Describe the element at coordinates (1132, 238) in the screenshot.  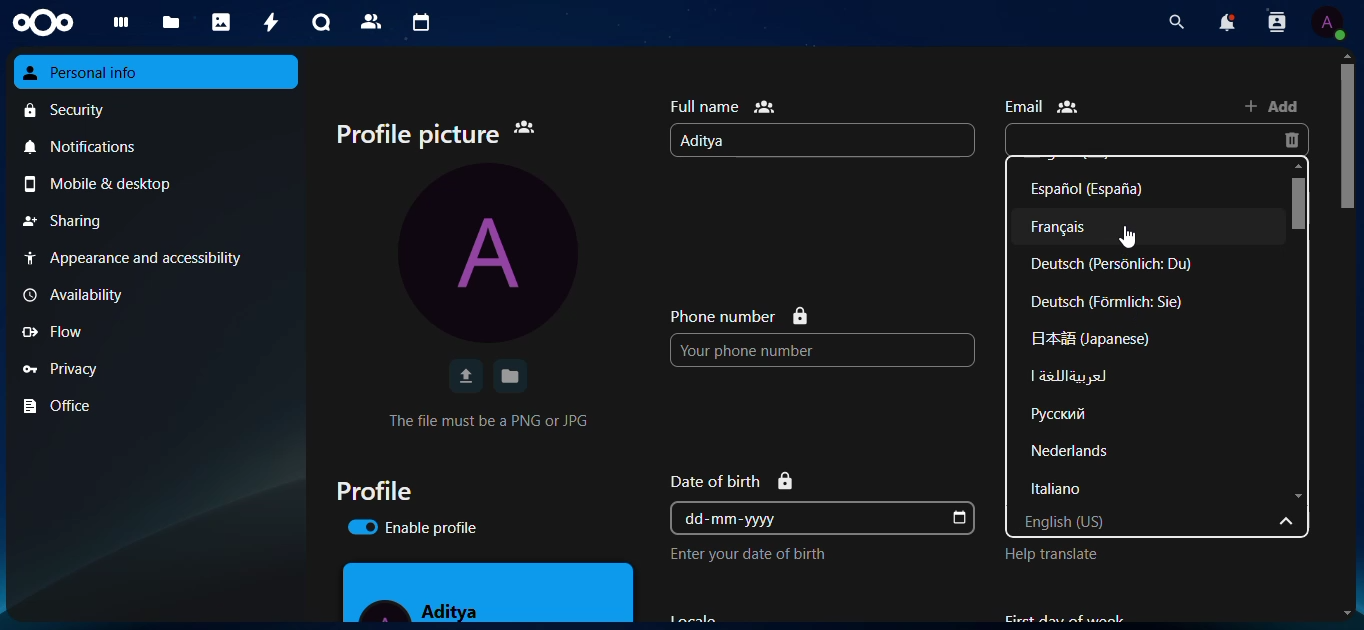
I see `cursor` at that location.